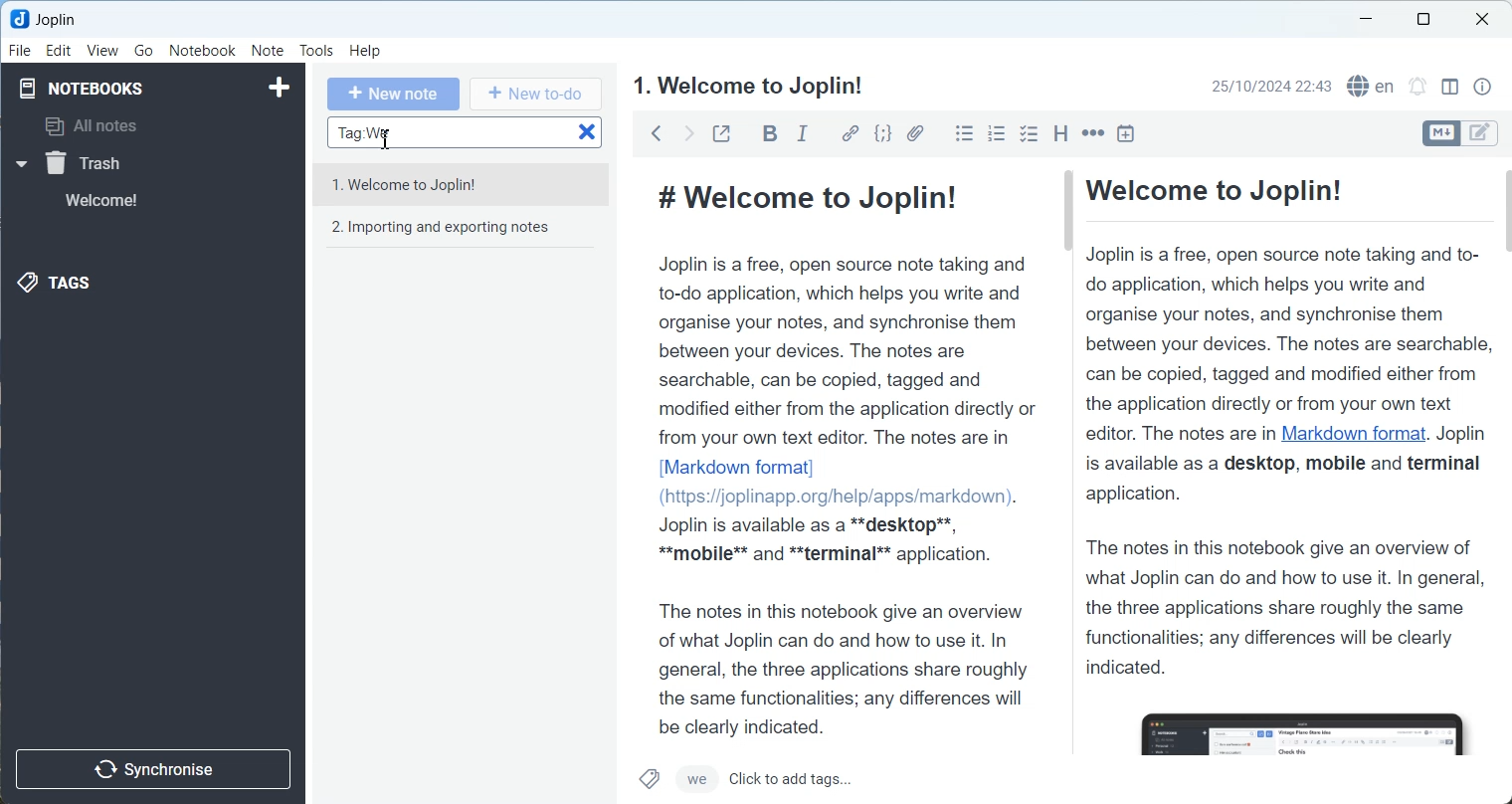 This screenshot has width=1512, height=804. Describe the element at coordinates (316, 51) in the screenshot. I see `Tools` at that location.